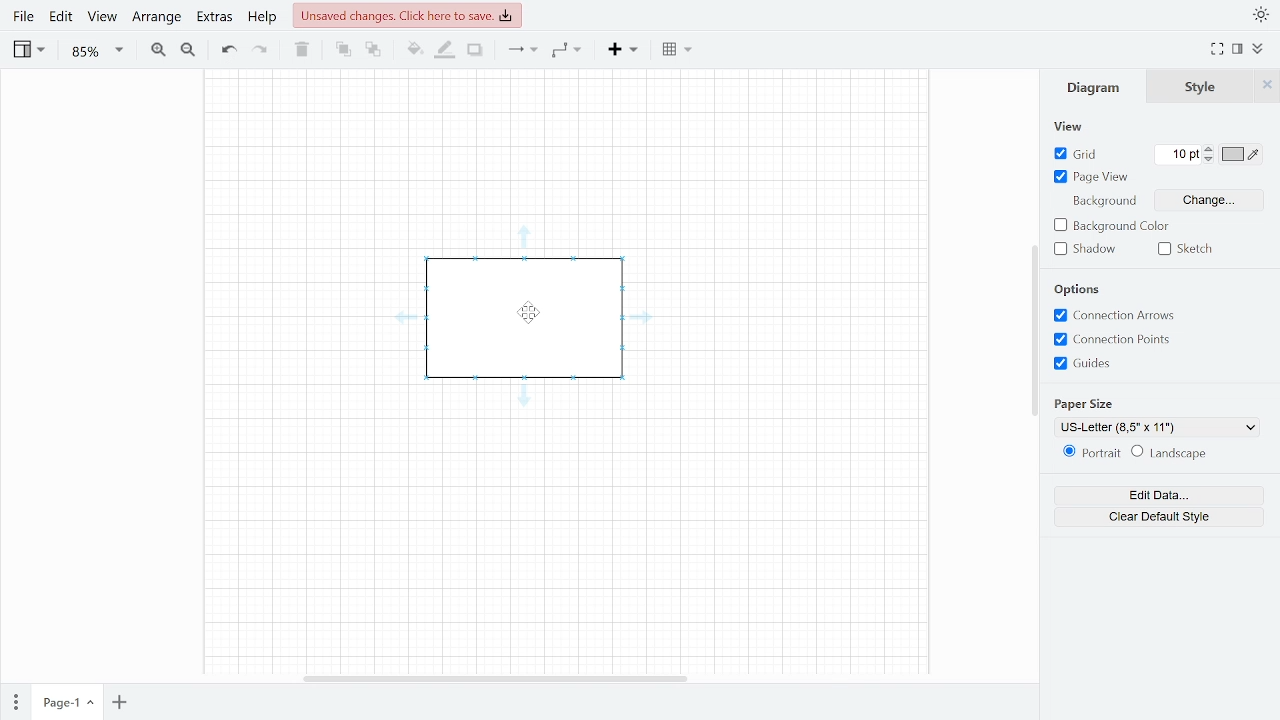  What do you see at coordinates (676, 50) in the screenshot?
I see `Table` at bounding box center [676, 50].